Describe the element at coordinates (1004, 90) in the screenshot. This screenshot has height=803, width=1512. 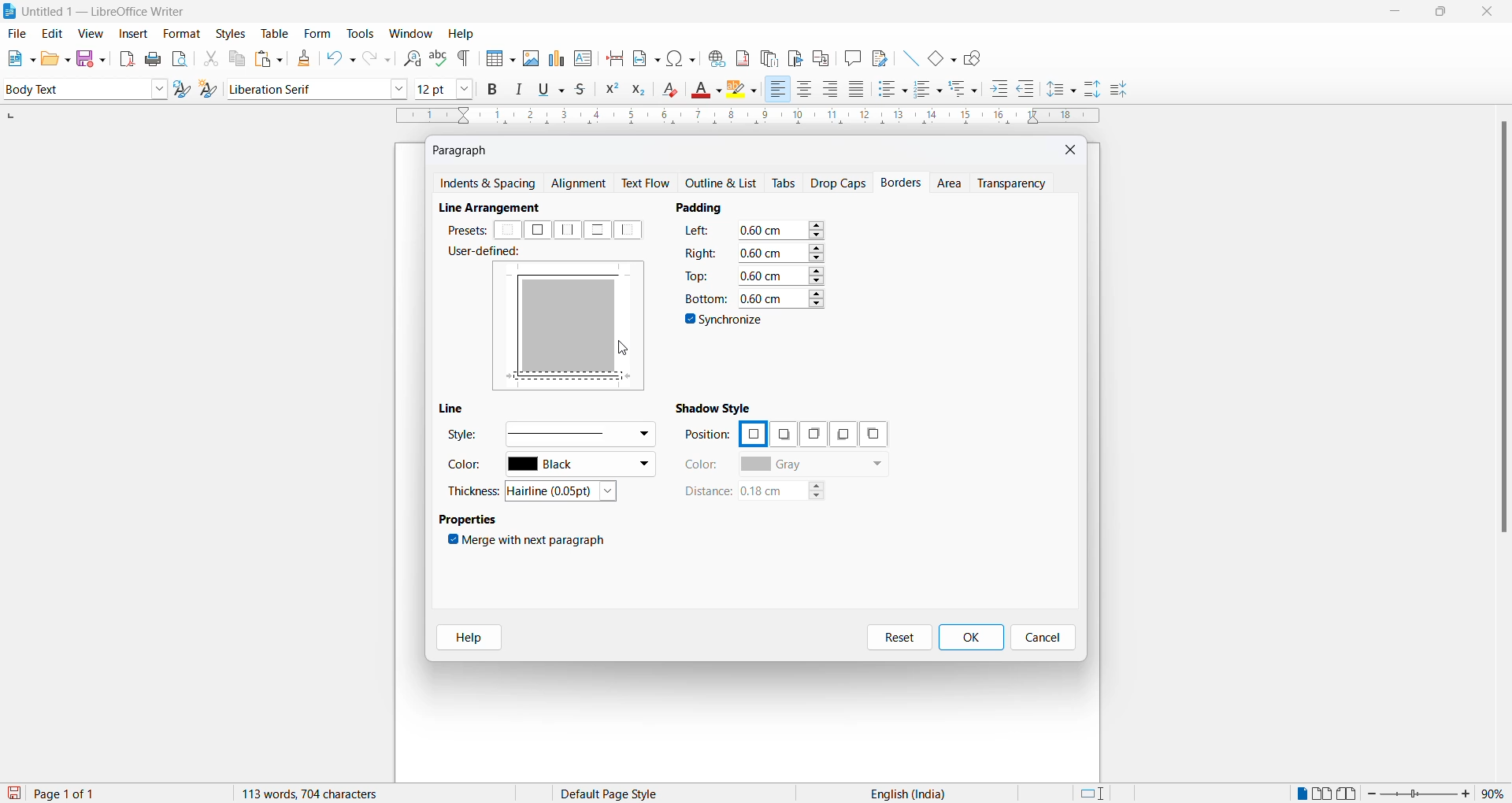
I see `increase indent` at that location.